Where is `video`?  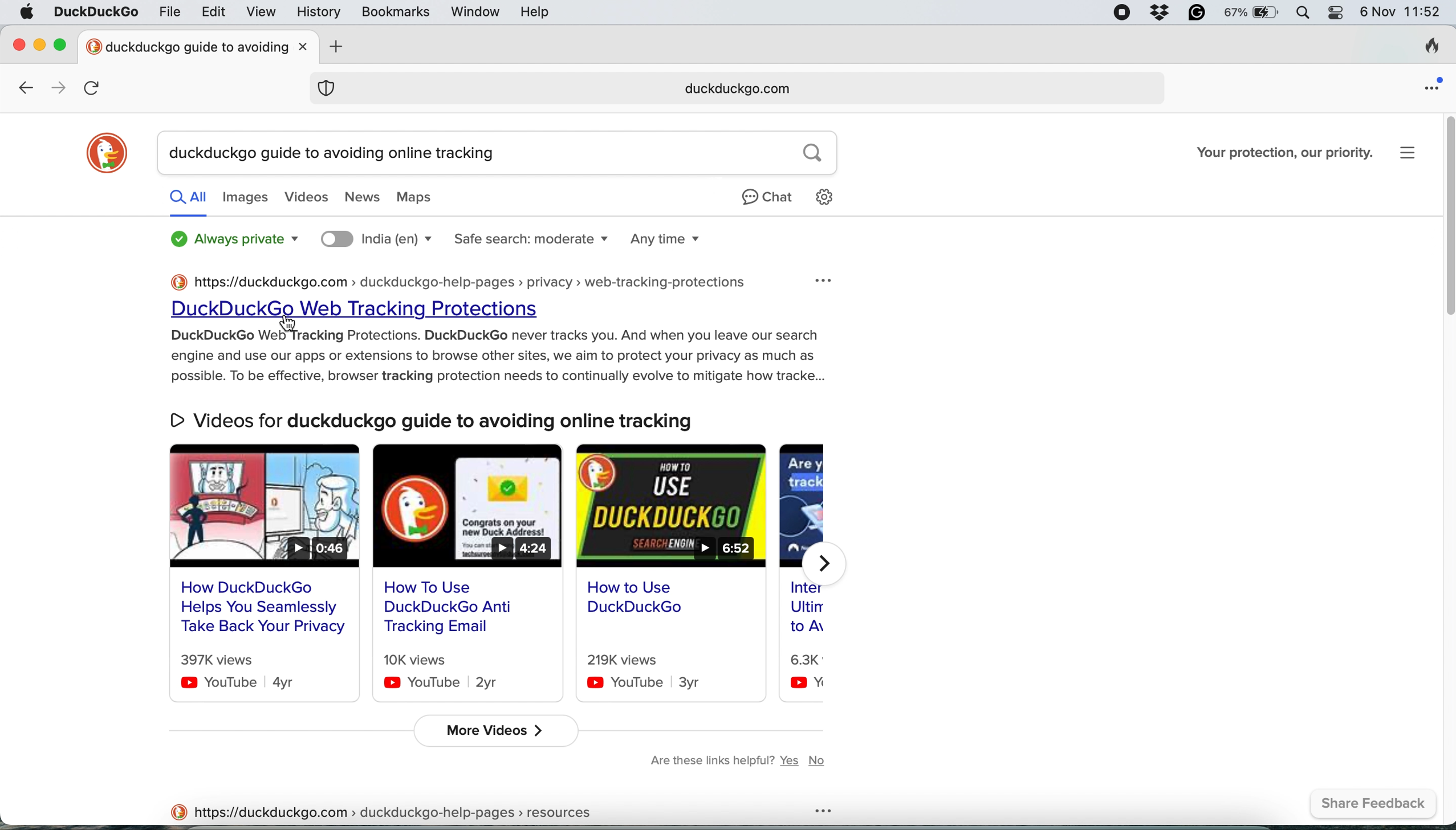
video is located at coordinates (787, 500).